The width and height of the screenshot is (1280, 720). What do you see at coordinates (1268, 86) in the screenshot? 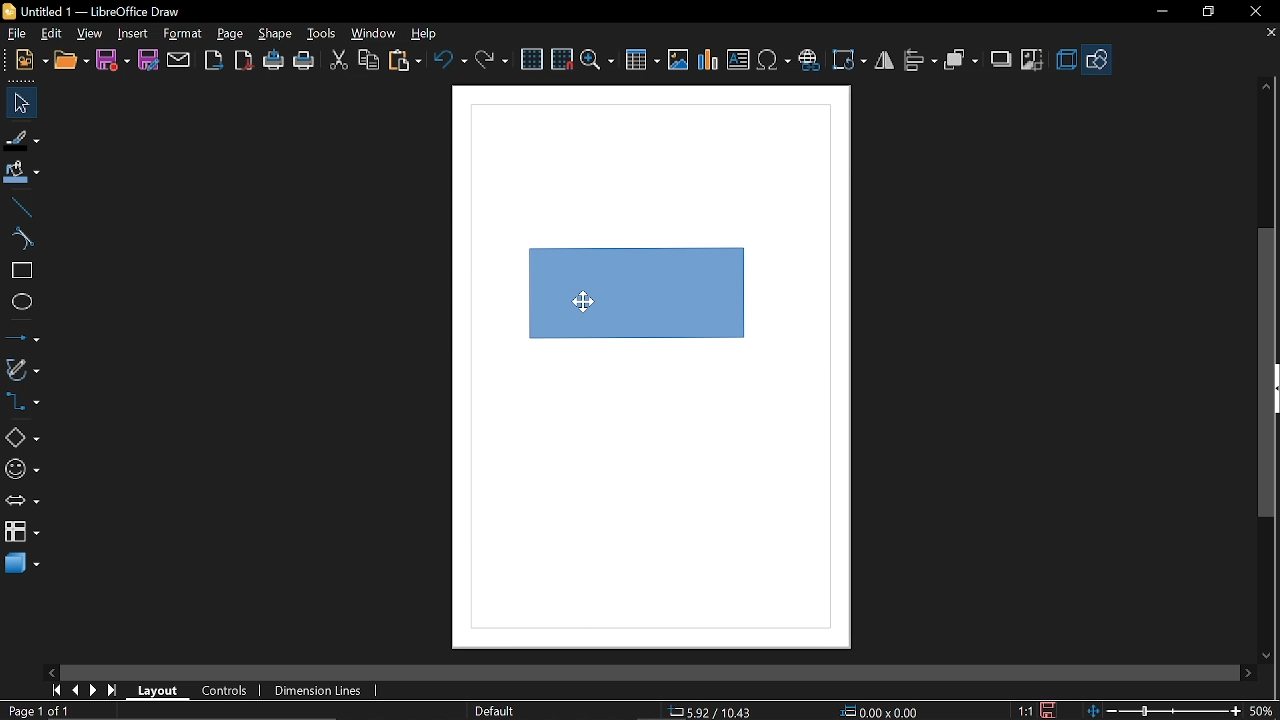
I see `Move up` at bounding box center [1268, 86].